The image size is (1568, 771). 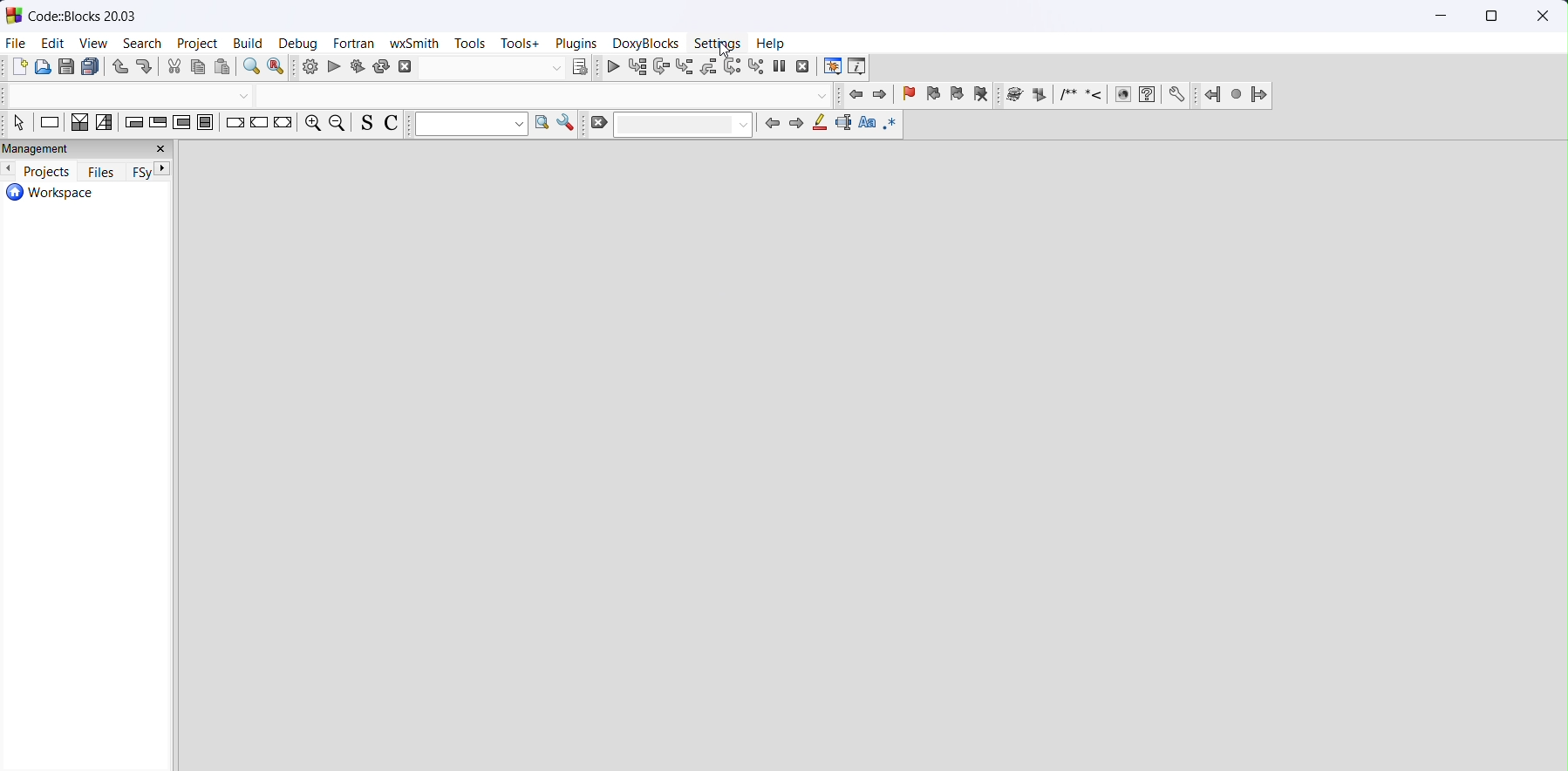 What do you see at coordinates (121, 68) in the screenshot?
I see `undo` at bounding box center [121, 68].